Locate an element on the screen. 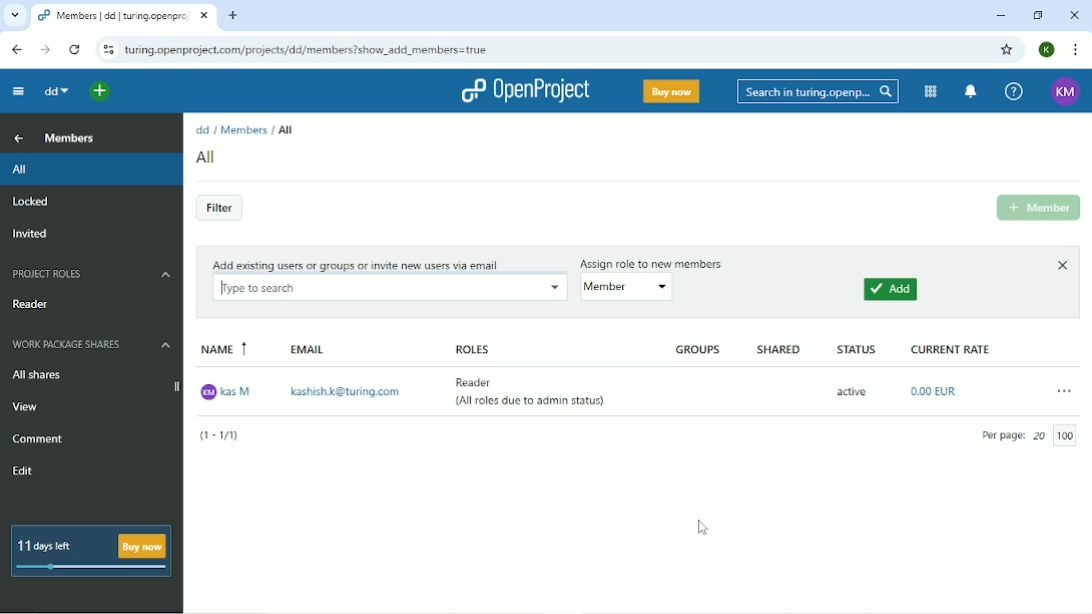 This screenshot has height=614, width=1092. 11 days left Buy now is located at coordinates (92, 552).